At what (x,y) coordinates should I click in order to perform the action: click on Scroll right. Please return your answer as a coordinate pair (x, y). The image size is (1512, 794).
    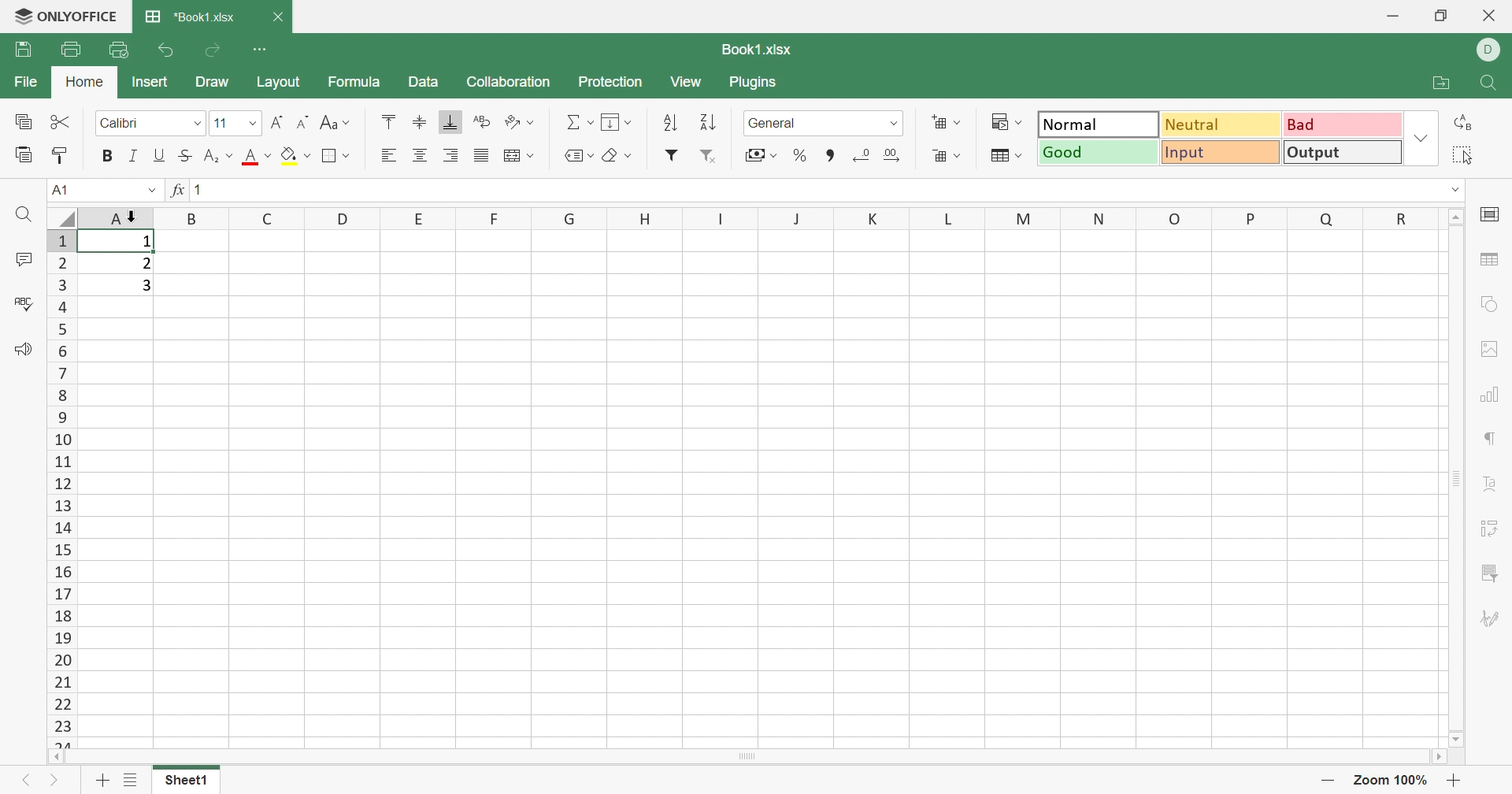
    Looking at the image, I should click on (1441, 759).